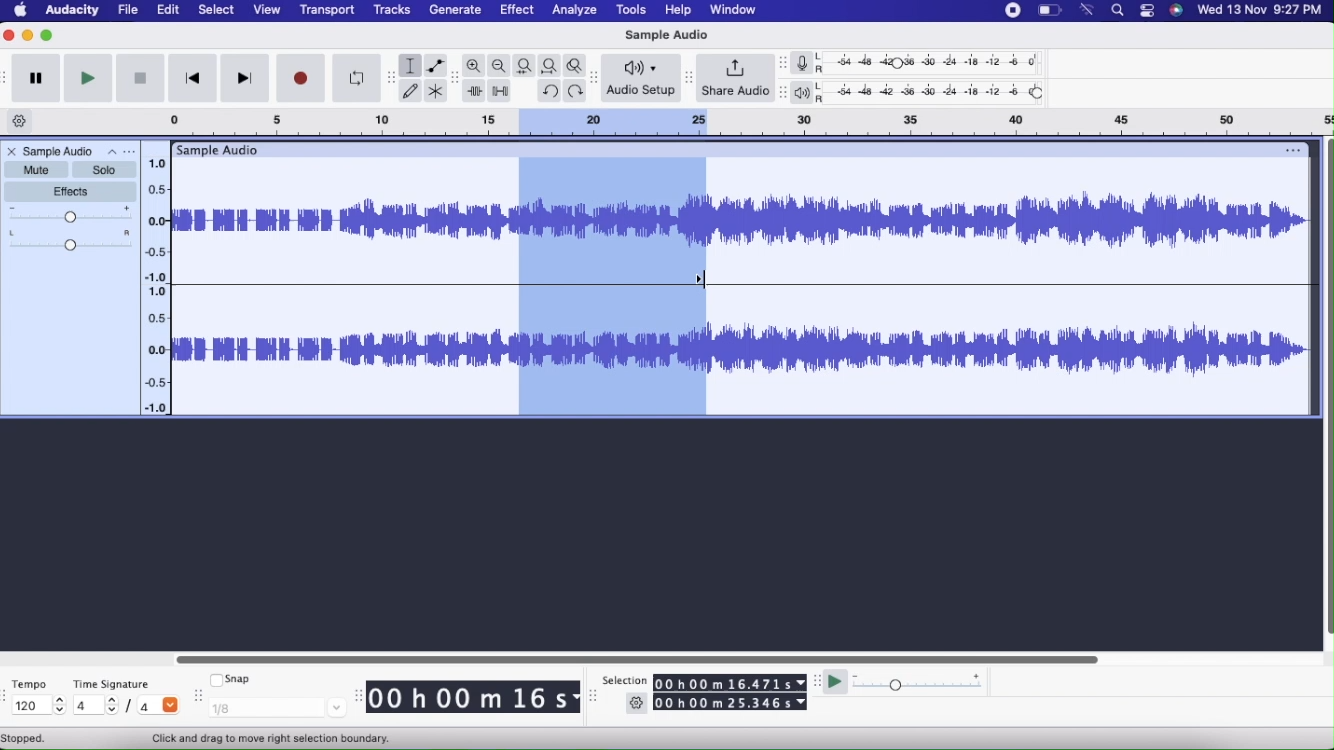 The height and width of the screenshot is (750, 1334). I want to click on 00 h 00 m 16 s, so click(474, 699).